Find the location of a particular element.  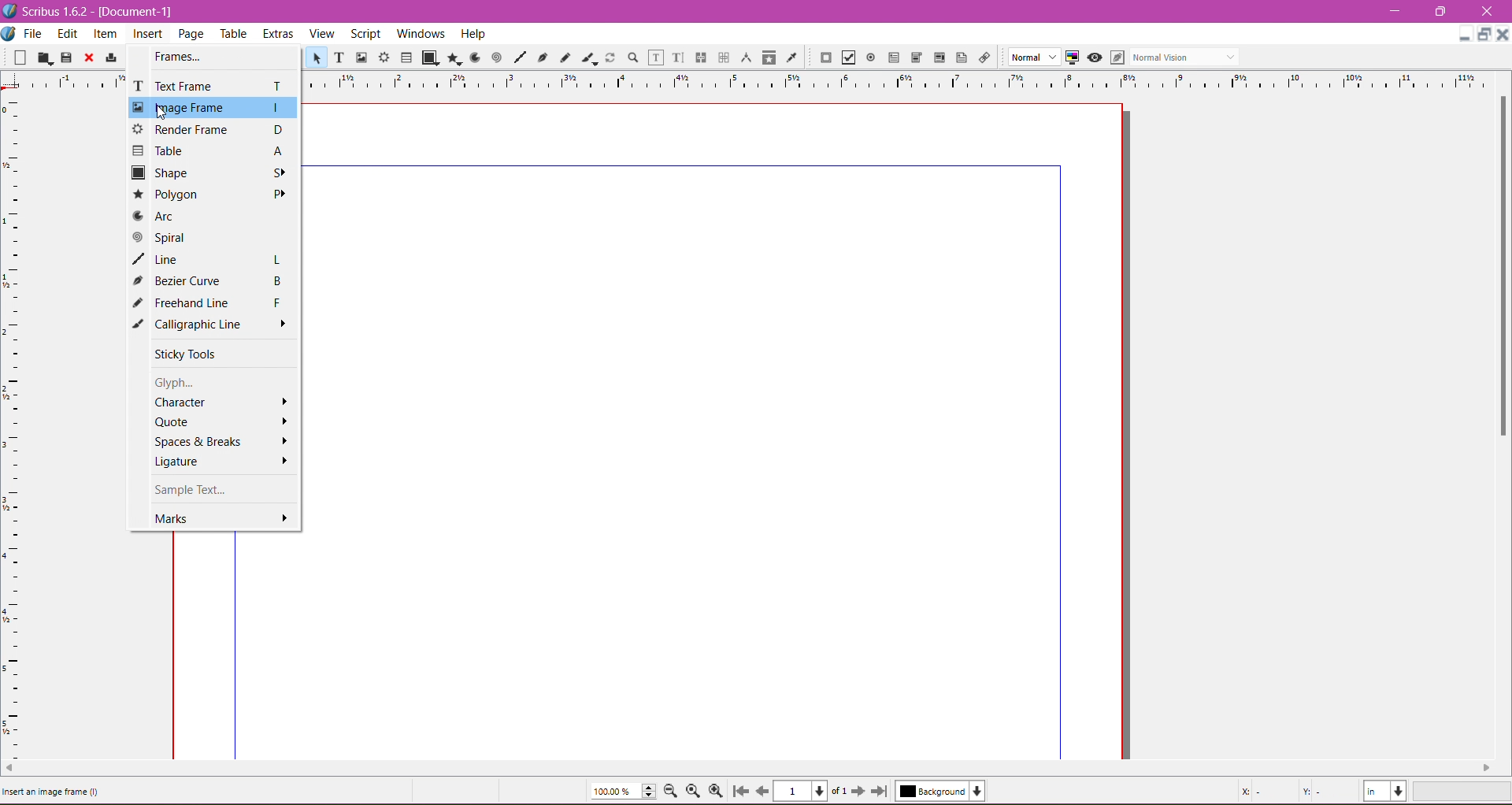

Shape is located at coordinates (212, 172).